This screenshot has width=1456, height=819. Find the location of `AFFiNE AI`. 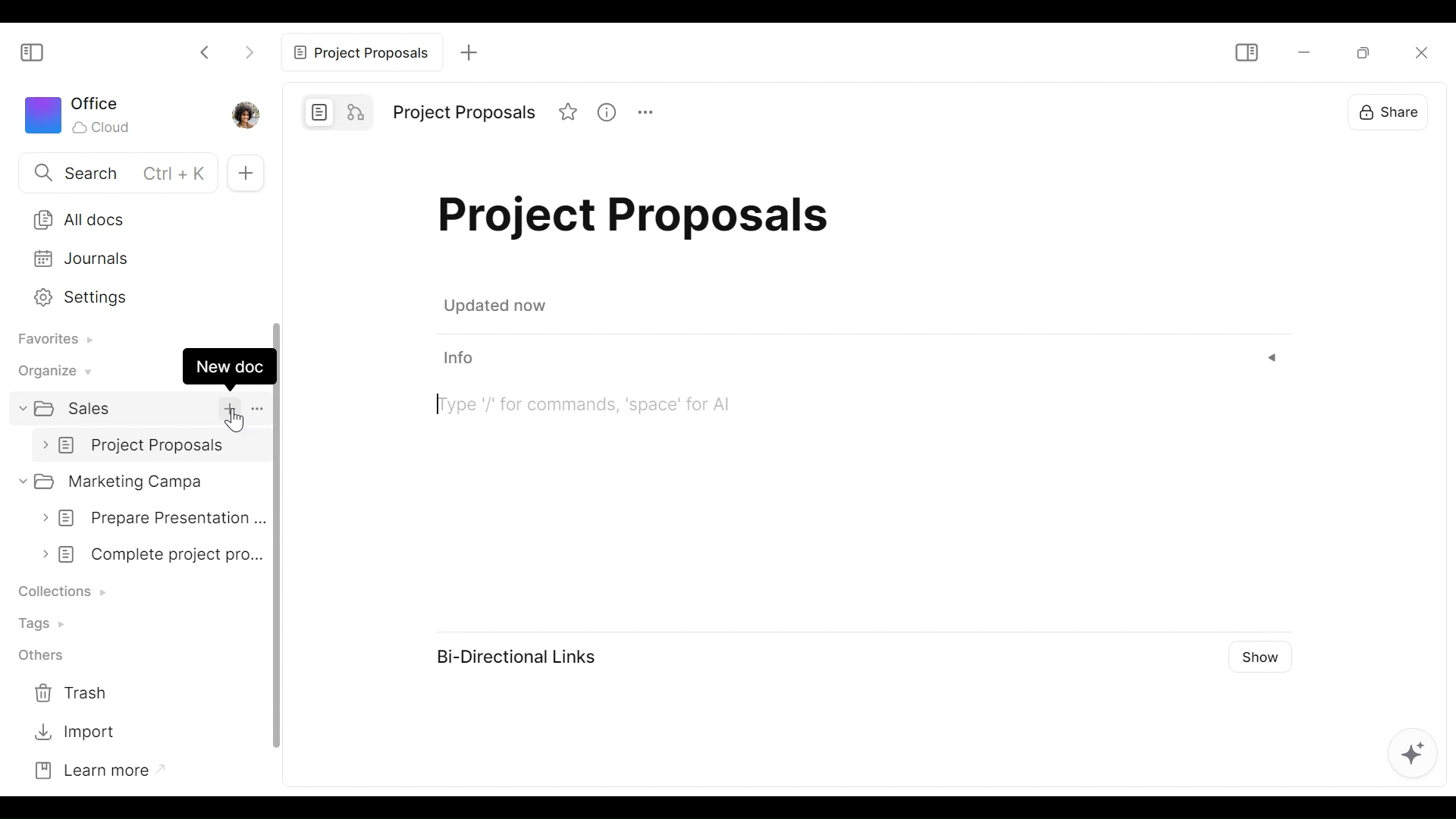

AFFiNE AI is located at coordinates (1416, 752).